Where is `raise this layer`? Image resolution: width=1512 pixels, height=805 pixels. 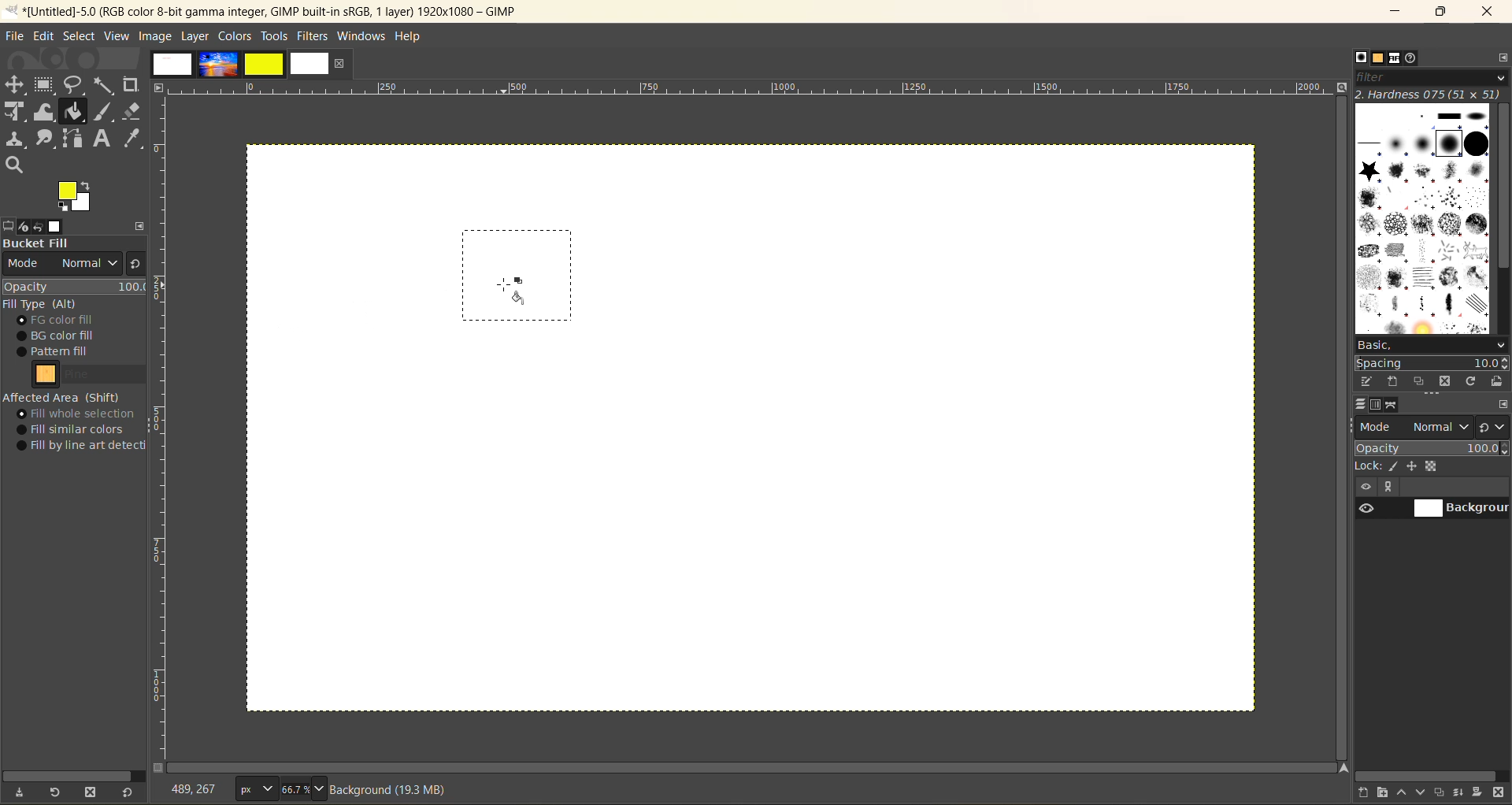 raise this layer is located at coordinates (1405, 793).